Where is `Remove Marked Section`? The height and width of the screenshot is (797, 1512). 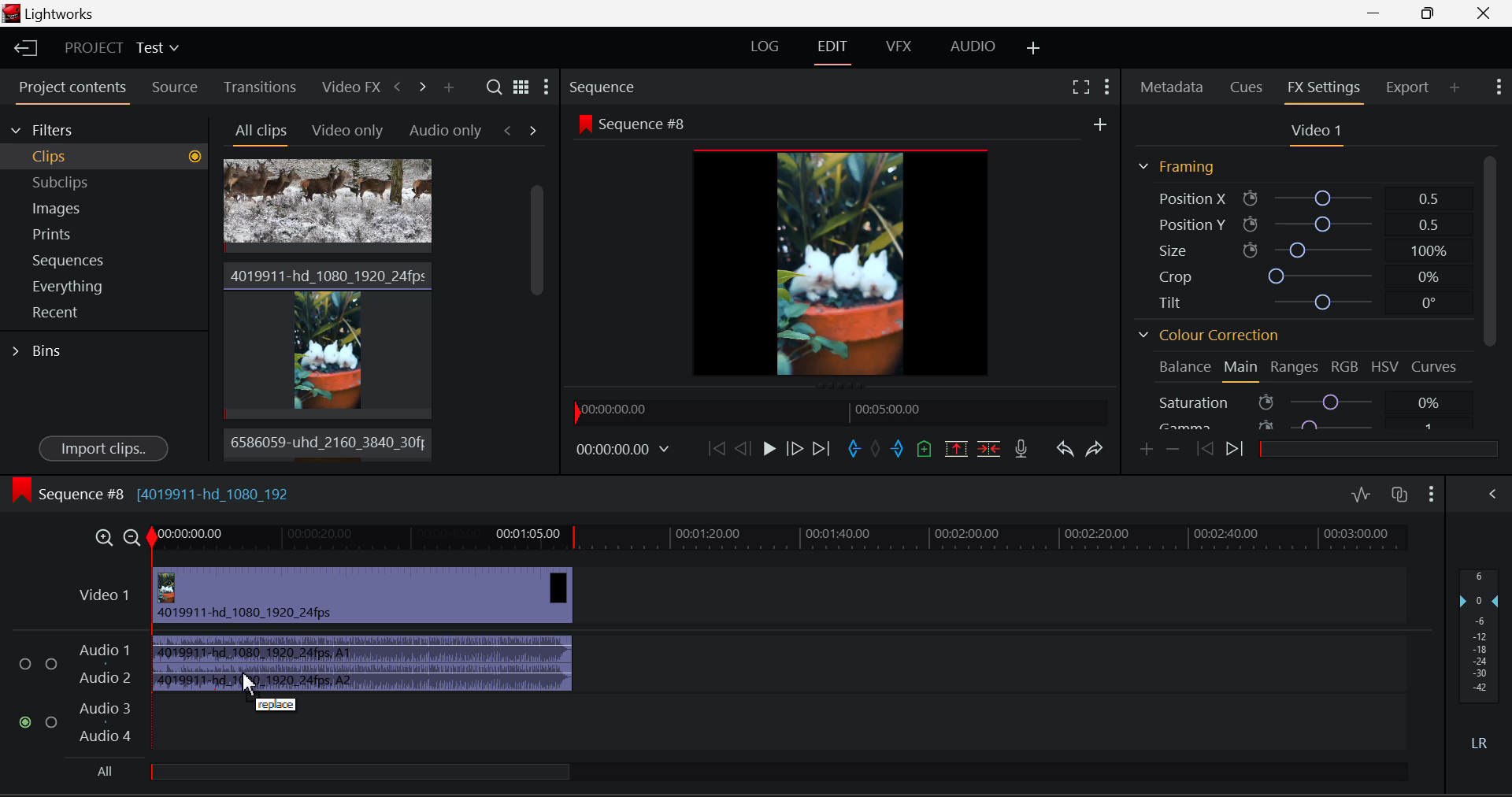
Remove Marked Section is located at coordinates (958, 447).